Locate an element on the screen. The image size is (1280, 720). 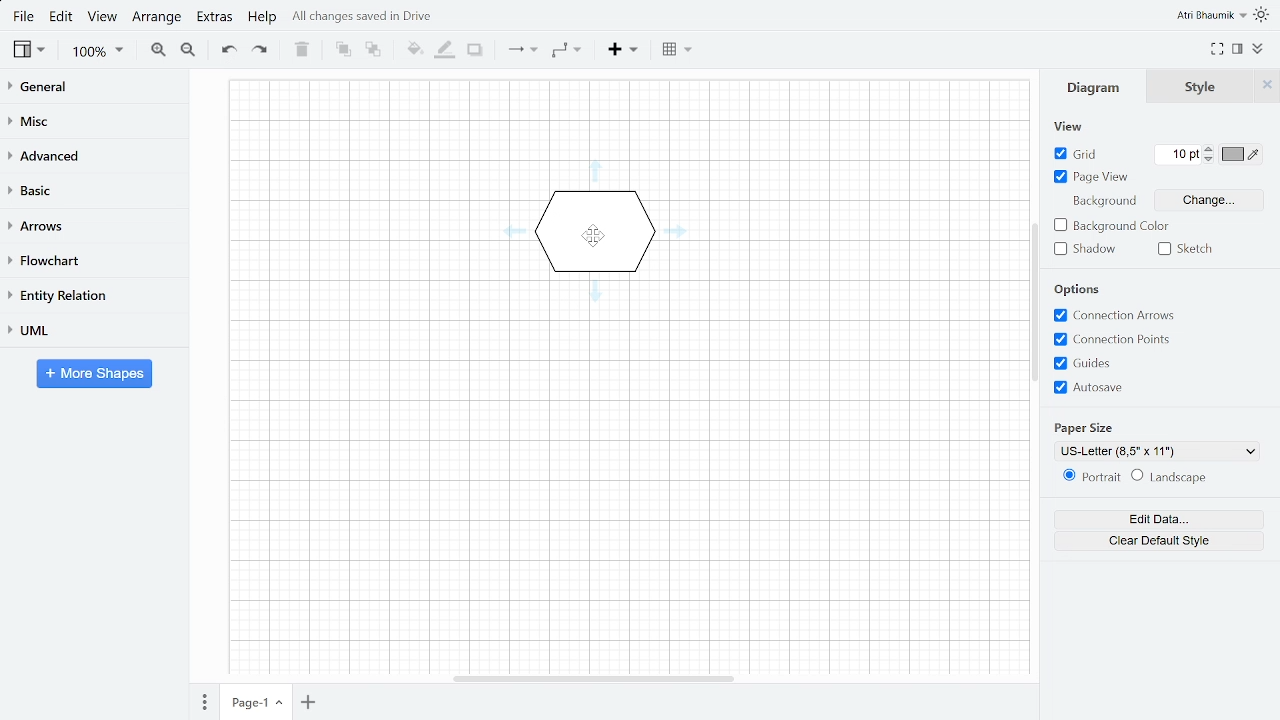
Move shape up is located at coordinates (595, 171).